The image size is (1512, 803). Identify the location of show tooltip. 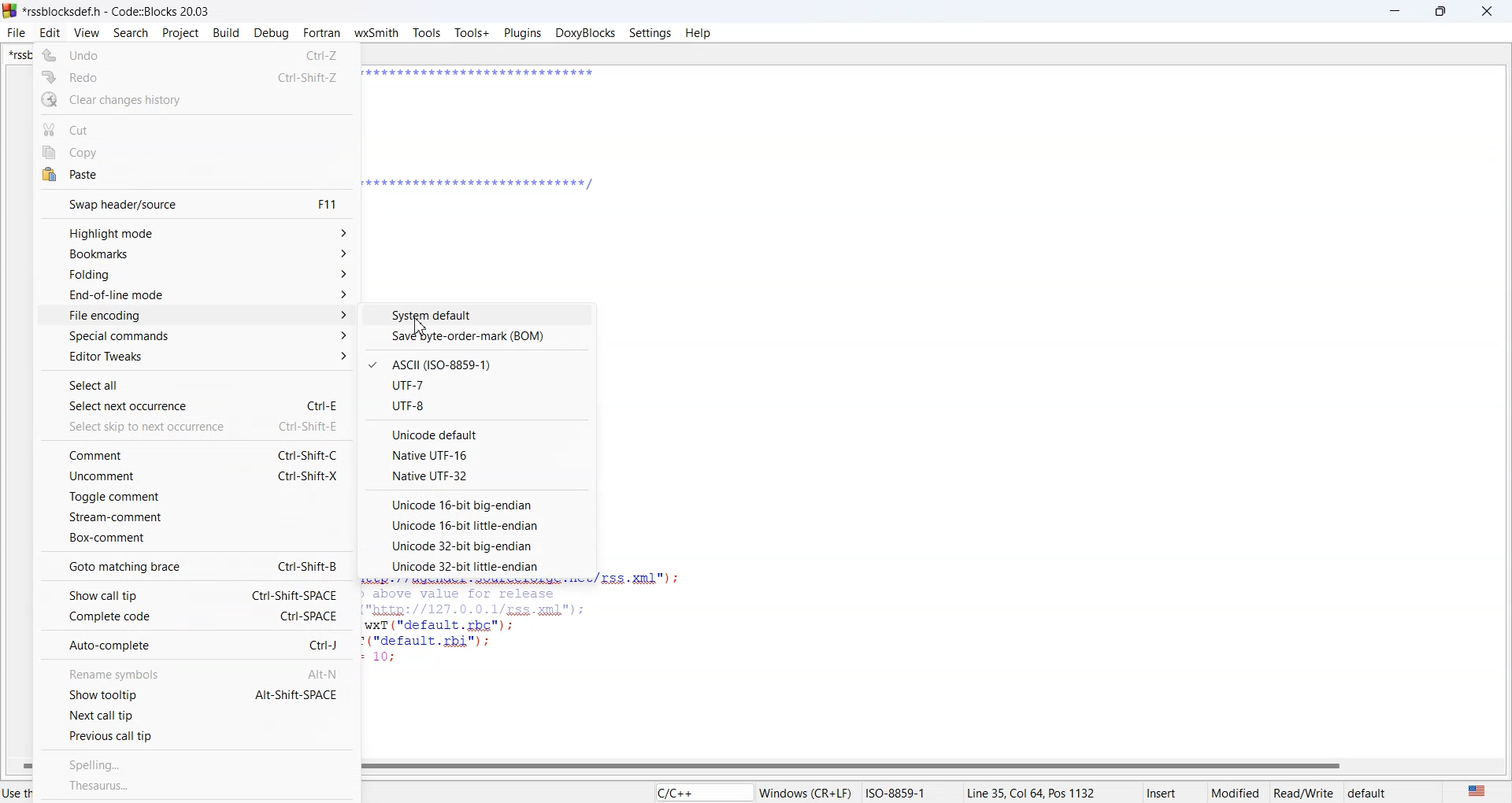
(195, 693).